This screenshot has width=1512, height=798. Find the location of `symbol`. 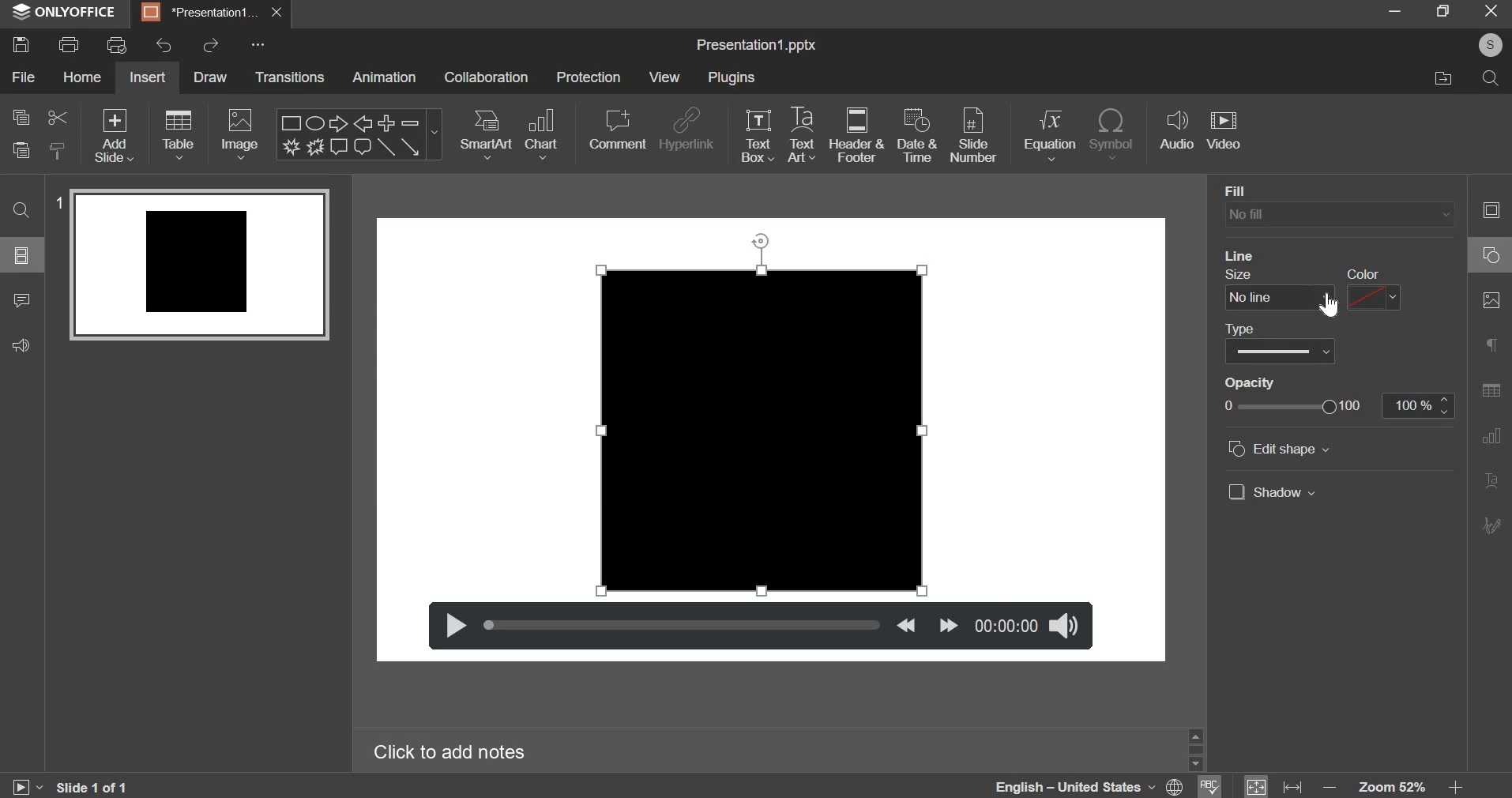

symbol is located at coordinates (1112, 133).